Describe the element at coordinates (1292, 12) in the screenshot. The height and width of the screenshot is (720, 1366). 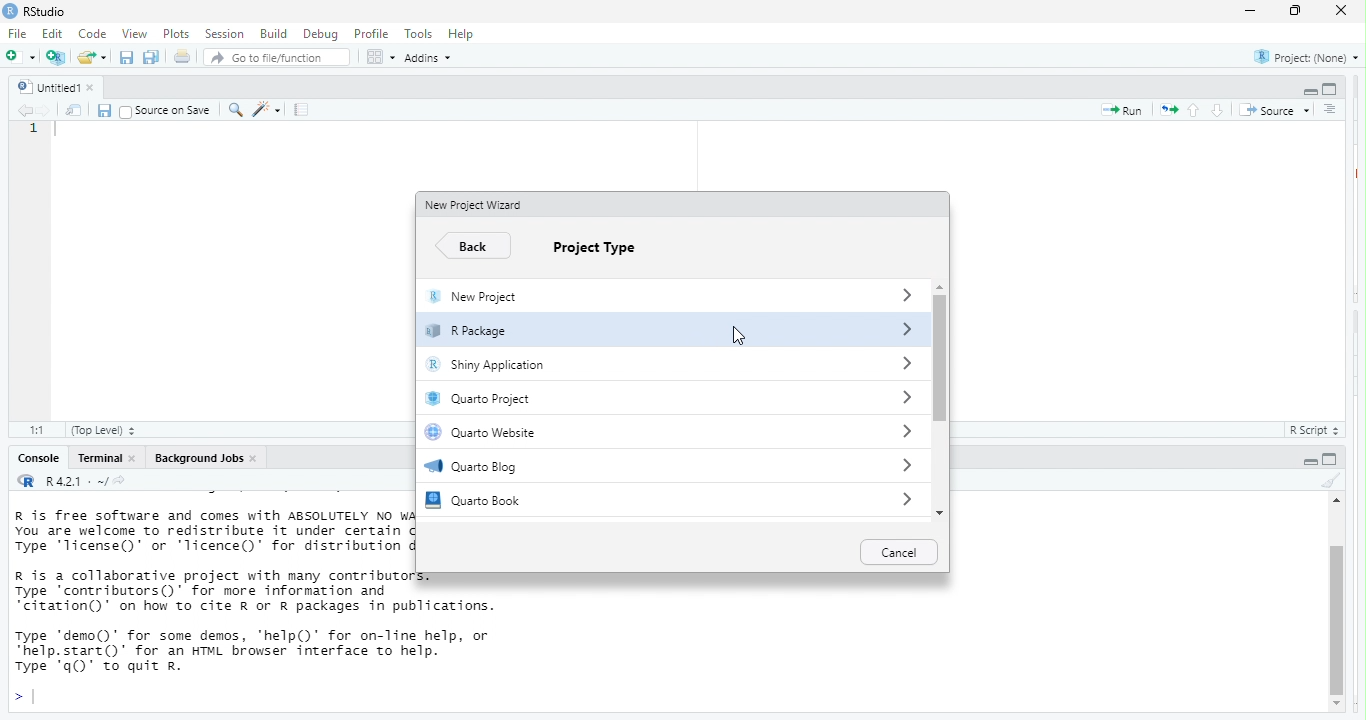
I see `maximize` at that location.